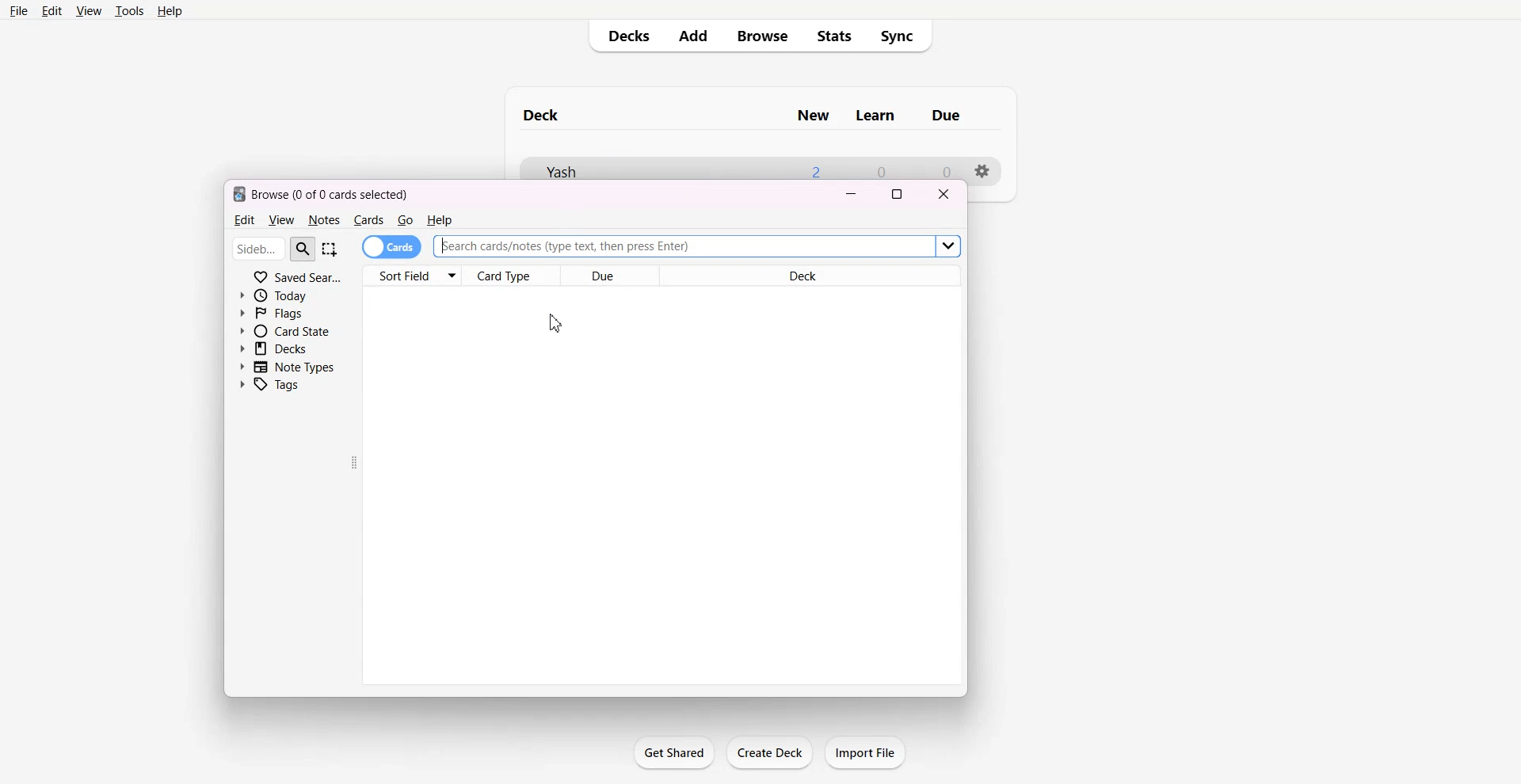  What do you see at coordinates (283, 296) in the screenshot?
I see `Today` at bounding box center [283, 296].